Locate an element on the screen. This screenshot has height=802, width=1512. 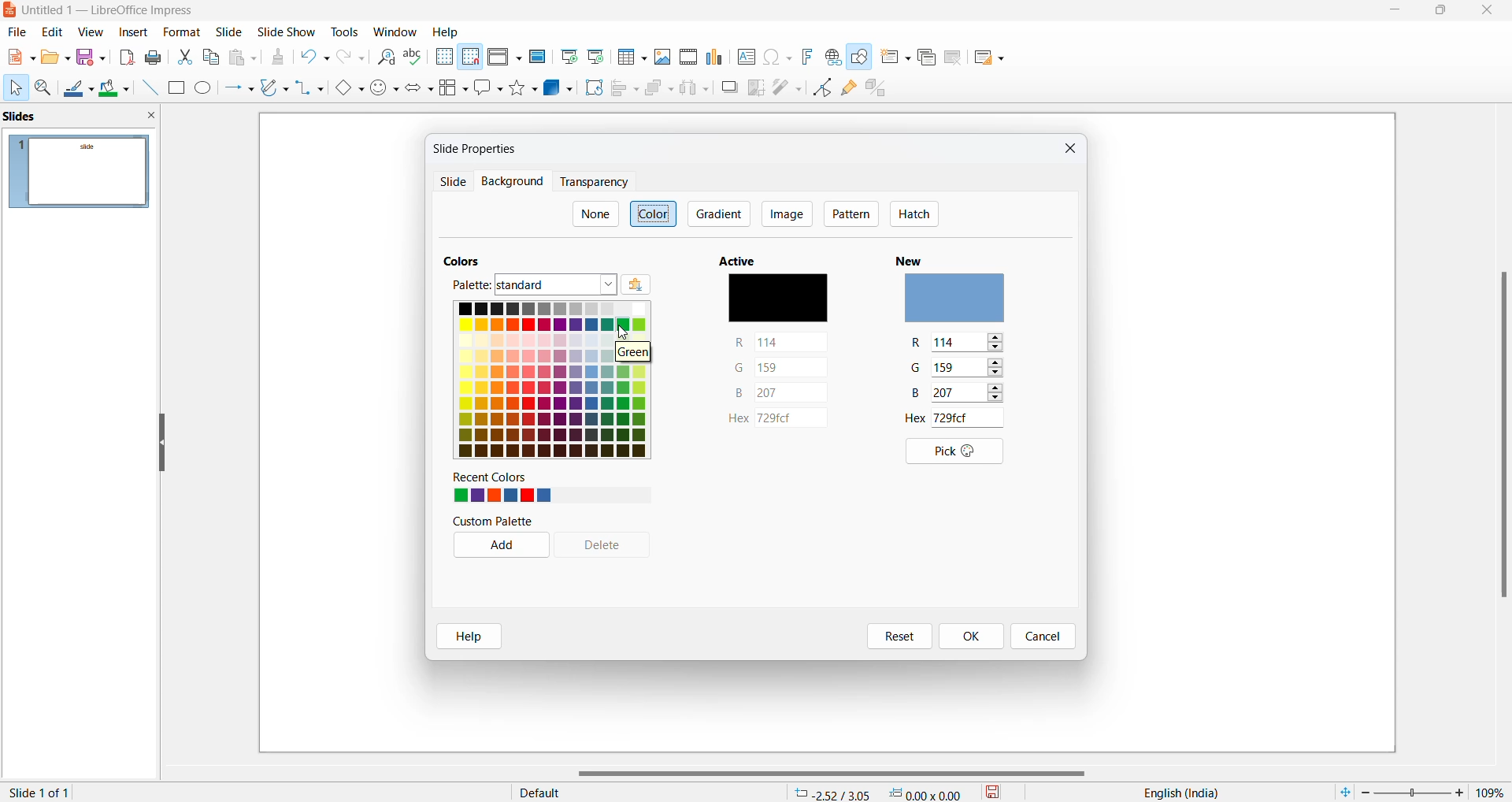
R value  is located at coordinates (958, 343).